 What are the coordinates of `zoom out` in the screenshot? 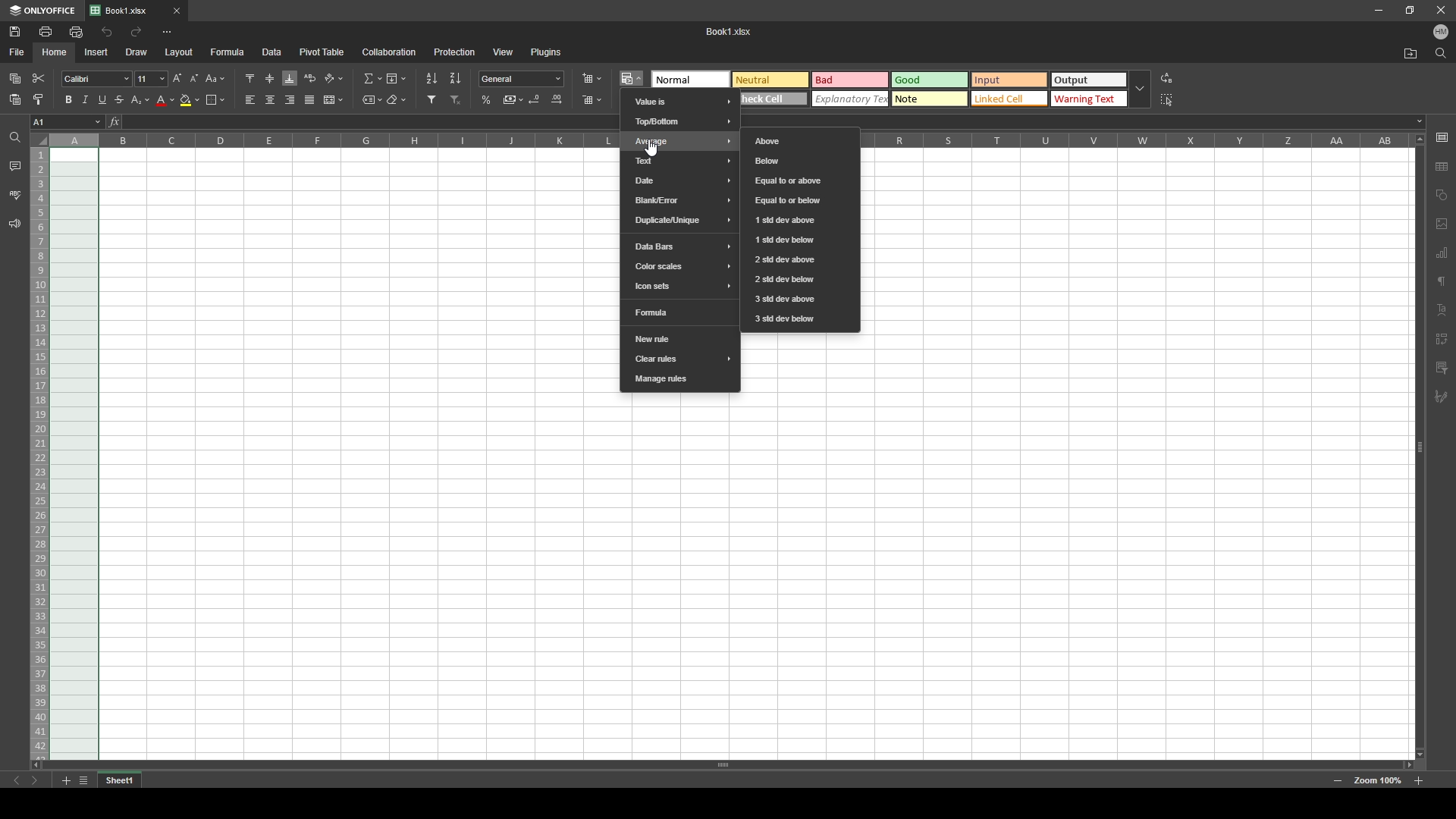 It's located at (1338, 782).